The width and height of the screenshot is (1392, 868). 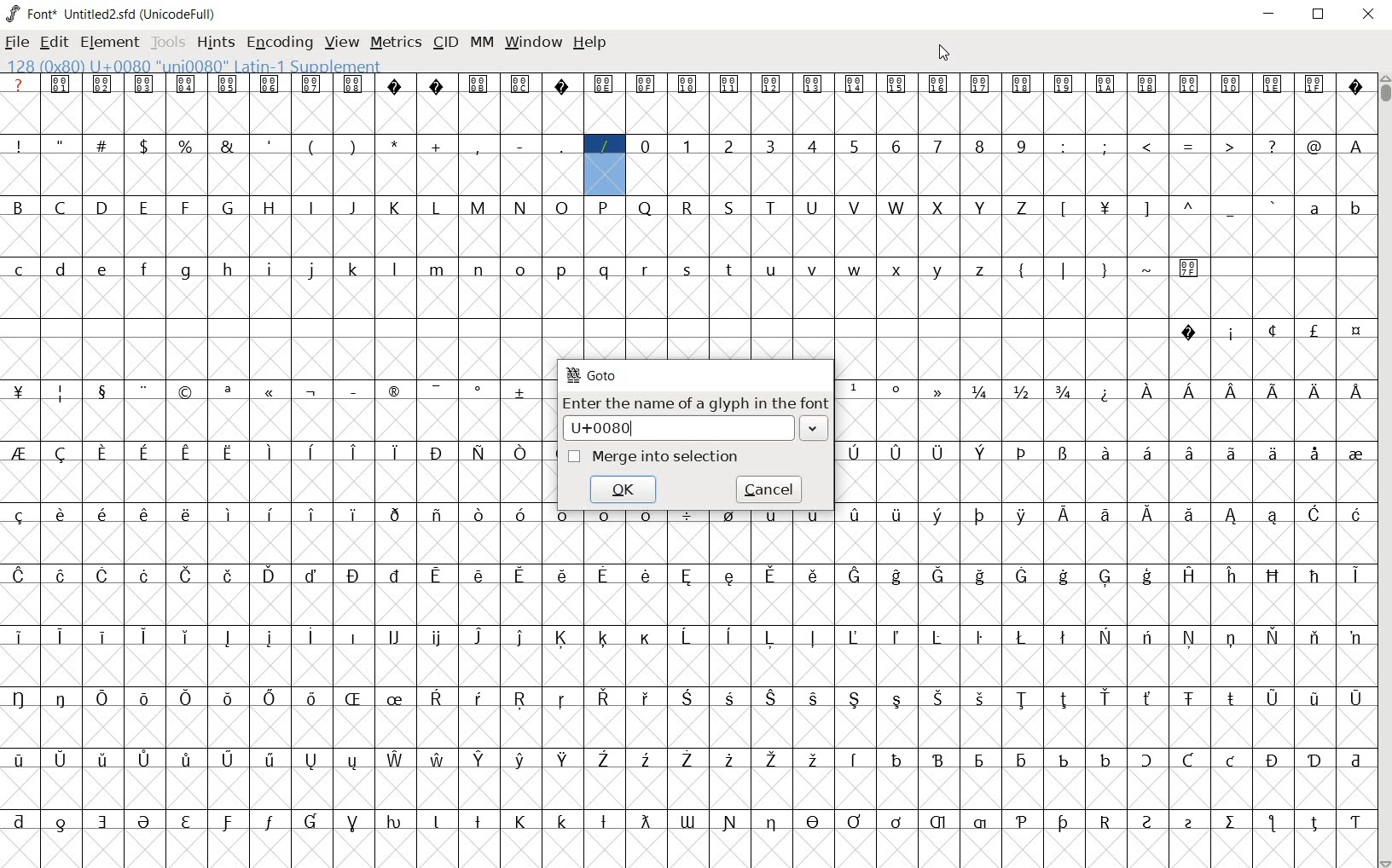 What do you see at coordinates (186, 822) in the screenshot?
I see `glyph` at bounding box center [186, 822].